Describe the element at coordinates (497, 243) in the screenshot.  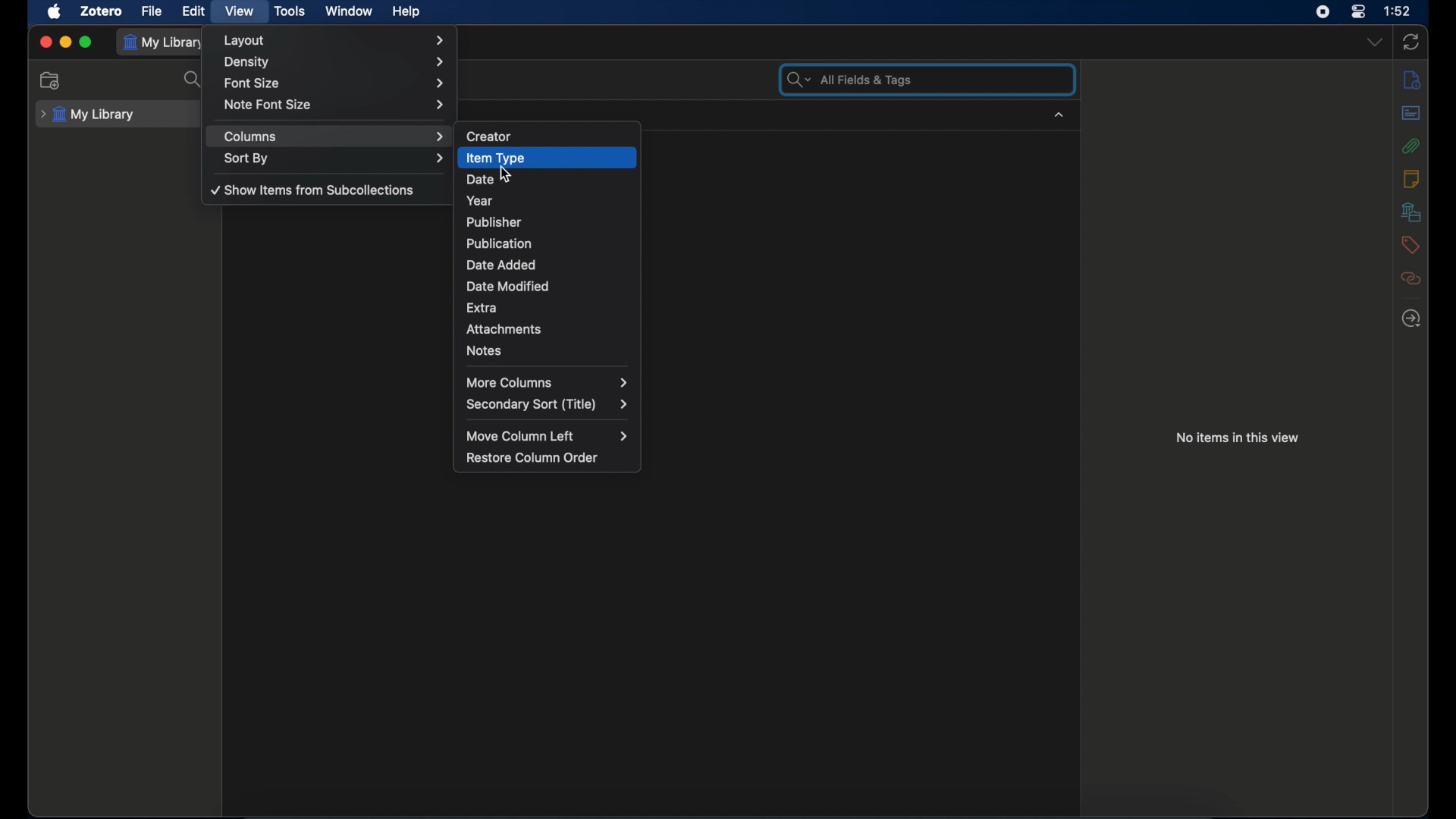
I see `publication` at that location.